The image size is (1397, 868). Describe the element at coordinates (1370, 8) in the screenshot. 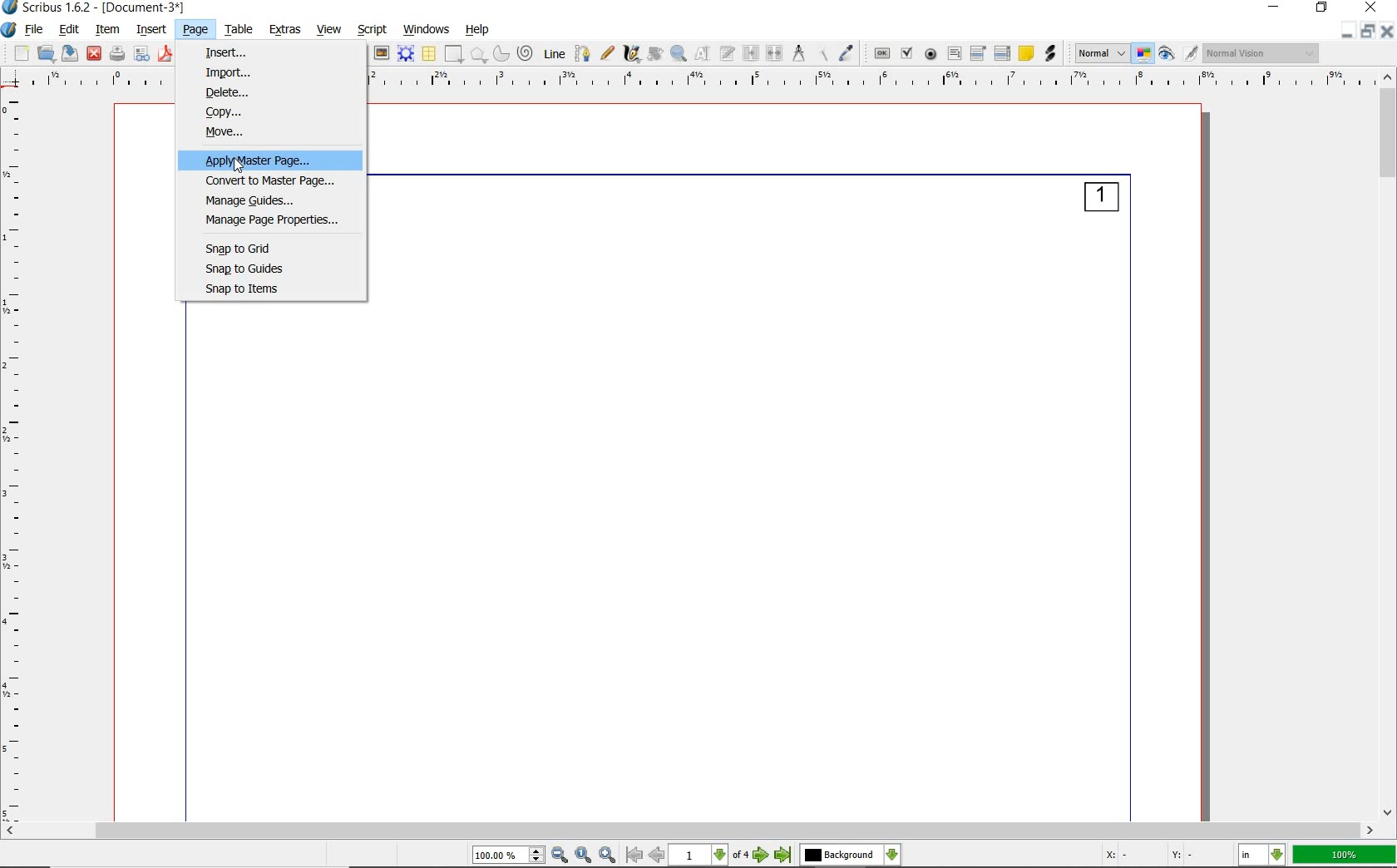

I see `close` at that location.